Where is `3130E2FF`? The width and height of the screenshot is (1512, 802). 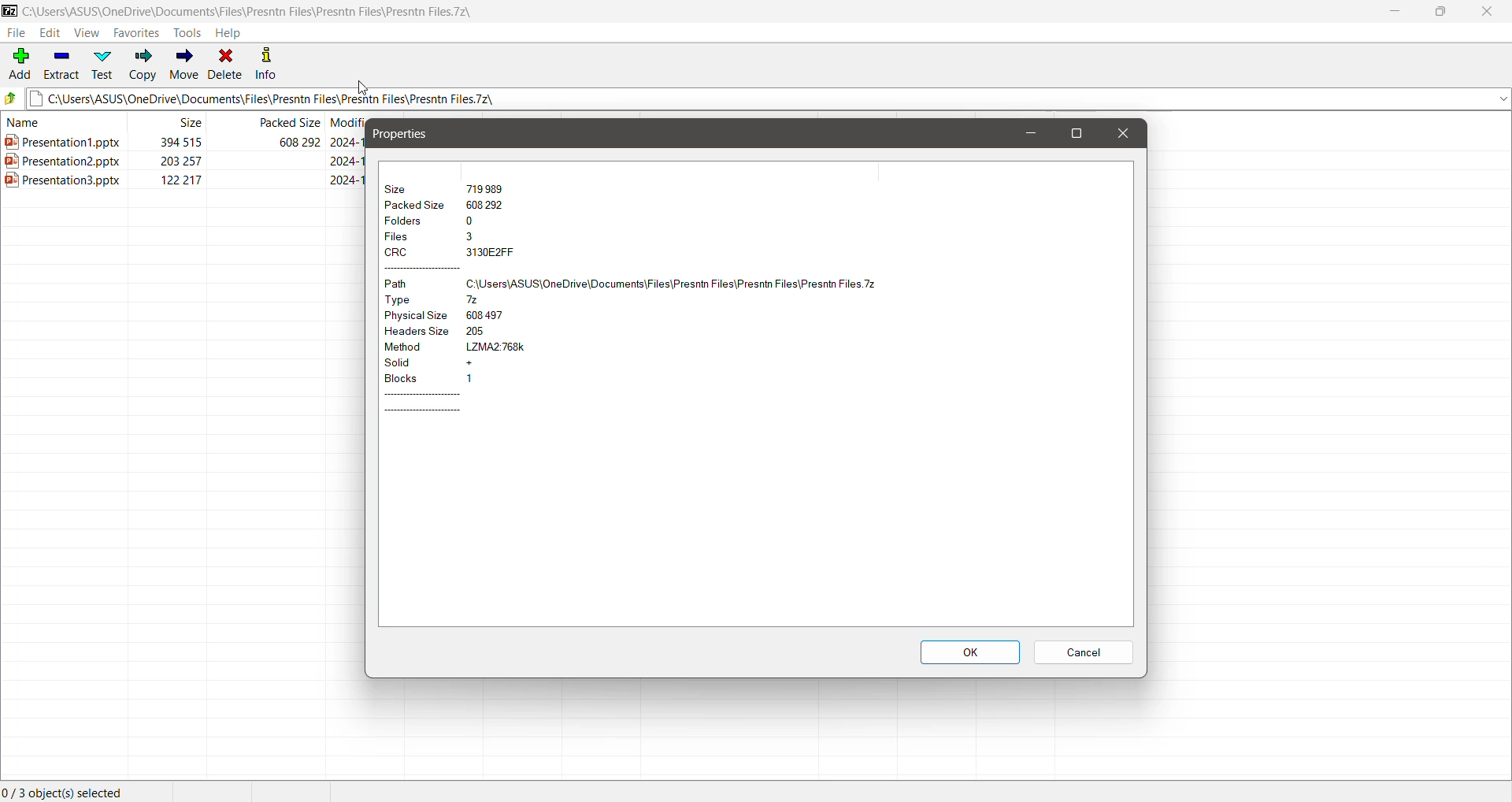
3130E2FF is located at coordinates (489, 251).